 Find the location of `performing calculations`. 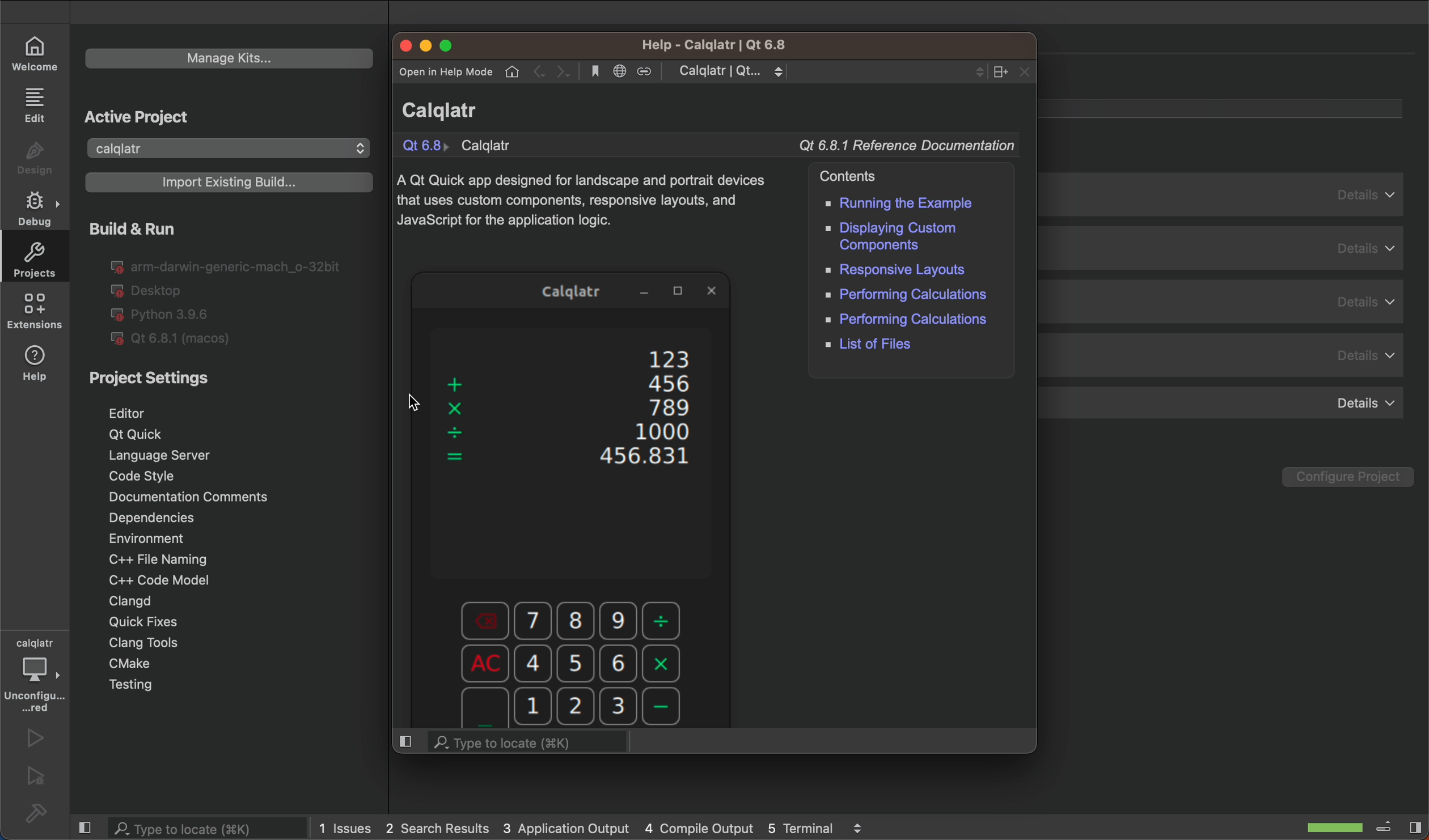

performing calculations is located at coordinates (904, 293).